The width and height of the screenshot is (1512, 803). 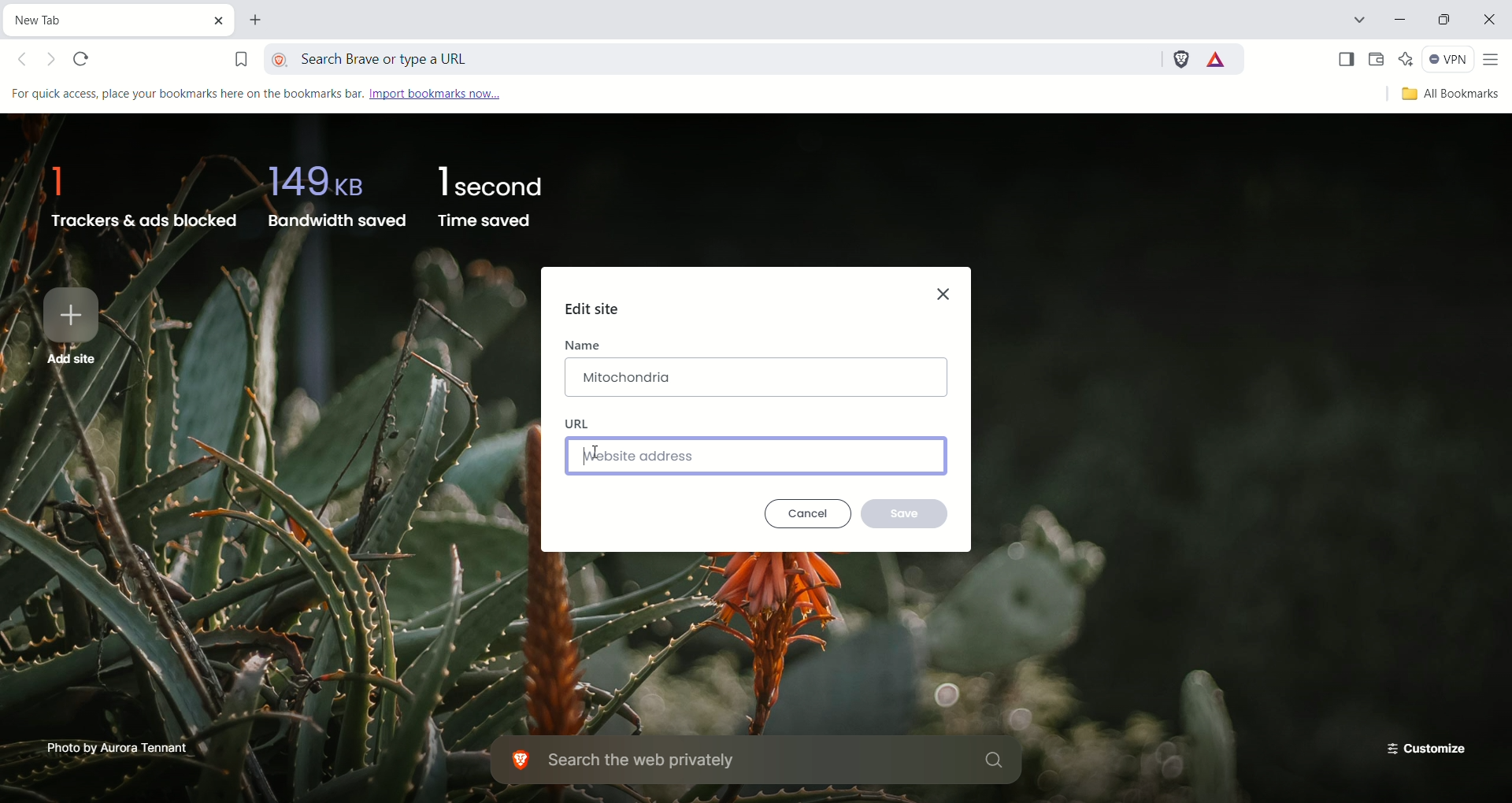 What do you see at coordinates (450, 93) in the screenshot?
I see `import bookmarks now` at bounding box center [450, 93].